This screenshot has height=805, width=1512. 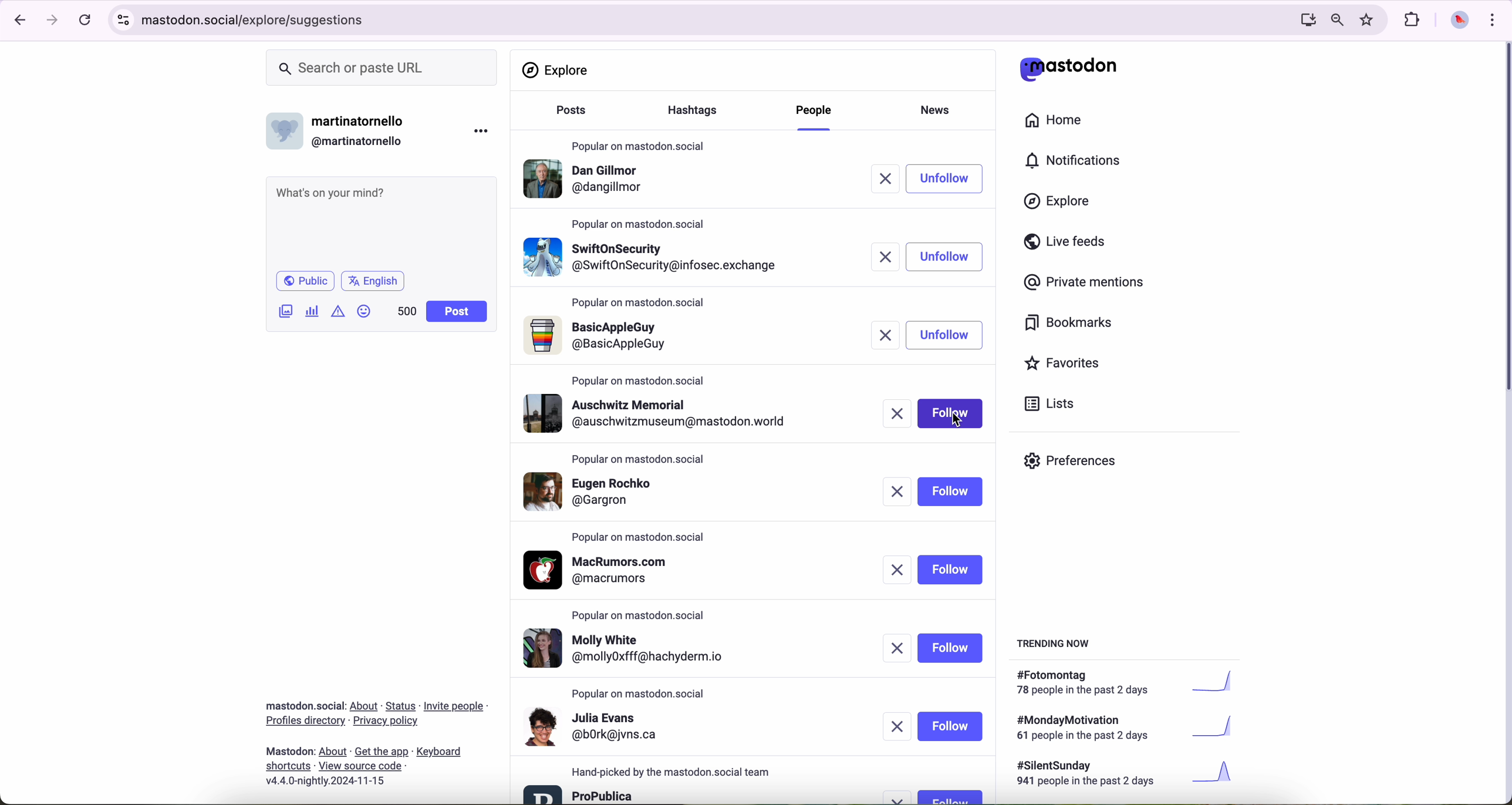 What do you see at coordinates (679, 772) in the screenshot?
I see `hand-picked by the mastodon.social` at bounding box center [679, 772].